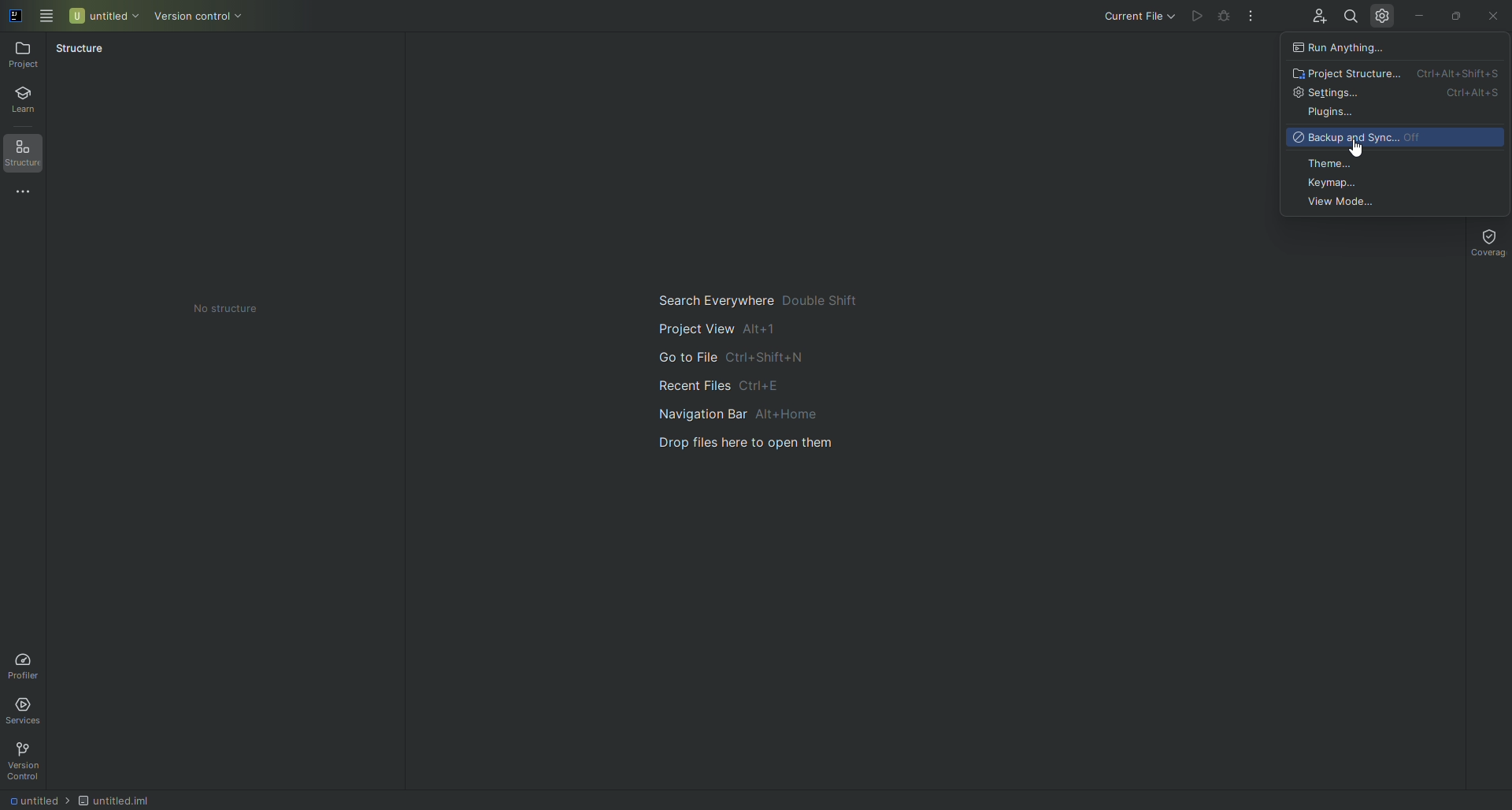  Describe the element at coordinates (728, 359) in the screenshot. I see `Go to file` at that location.